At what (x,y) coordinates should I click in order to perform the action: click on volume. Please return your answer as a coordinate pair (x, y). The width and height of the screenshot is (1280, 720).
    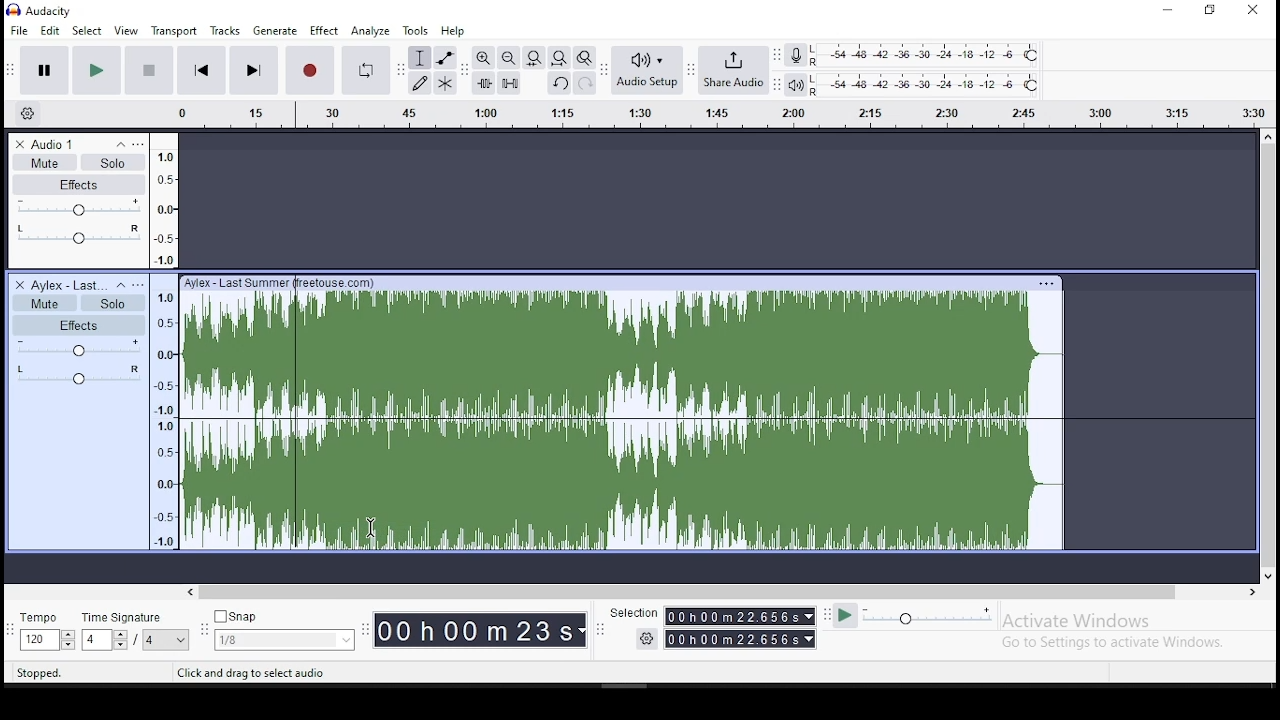
    Looking at the image, I should click on (78, 208).